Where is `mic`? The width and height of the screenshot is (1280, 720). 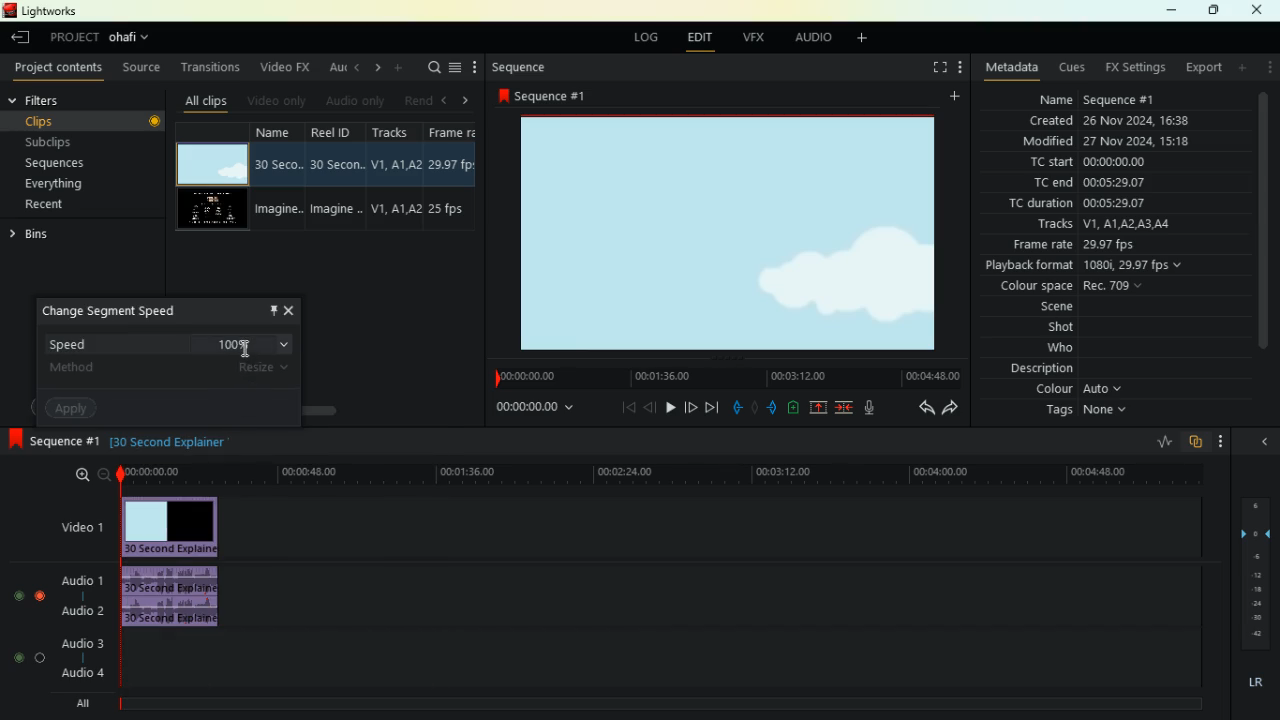
mic is located at coordinates (873, 405).